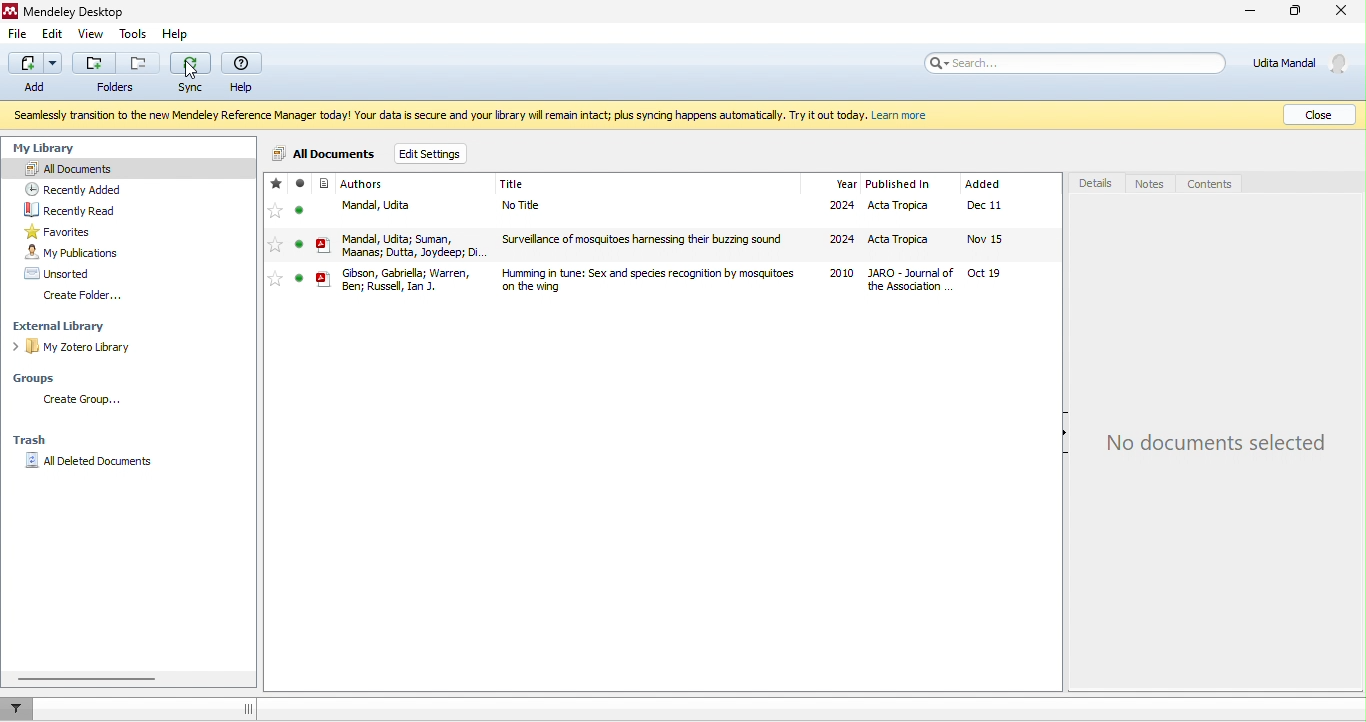 This screenshot has width=1366, height=722. What do you see at coordinates (1301, 12) in the screenshot?
I see `maximize` at bounding box center [1301, 12].